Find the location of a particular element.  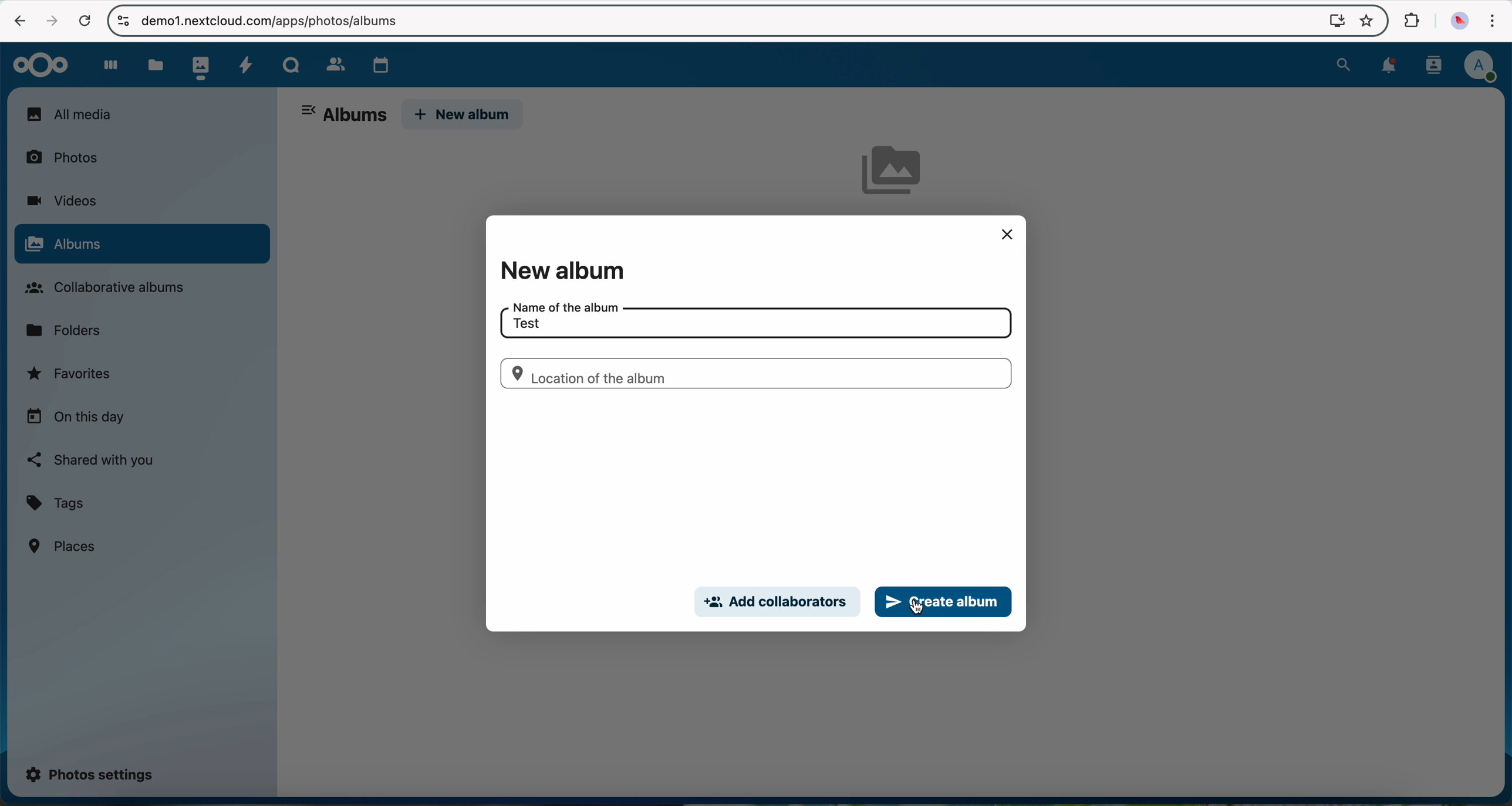

controls is located at coordinates (123, 20).